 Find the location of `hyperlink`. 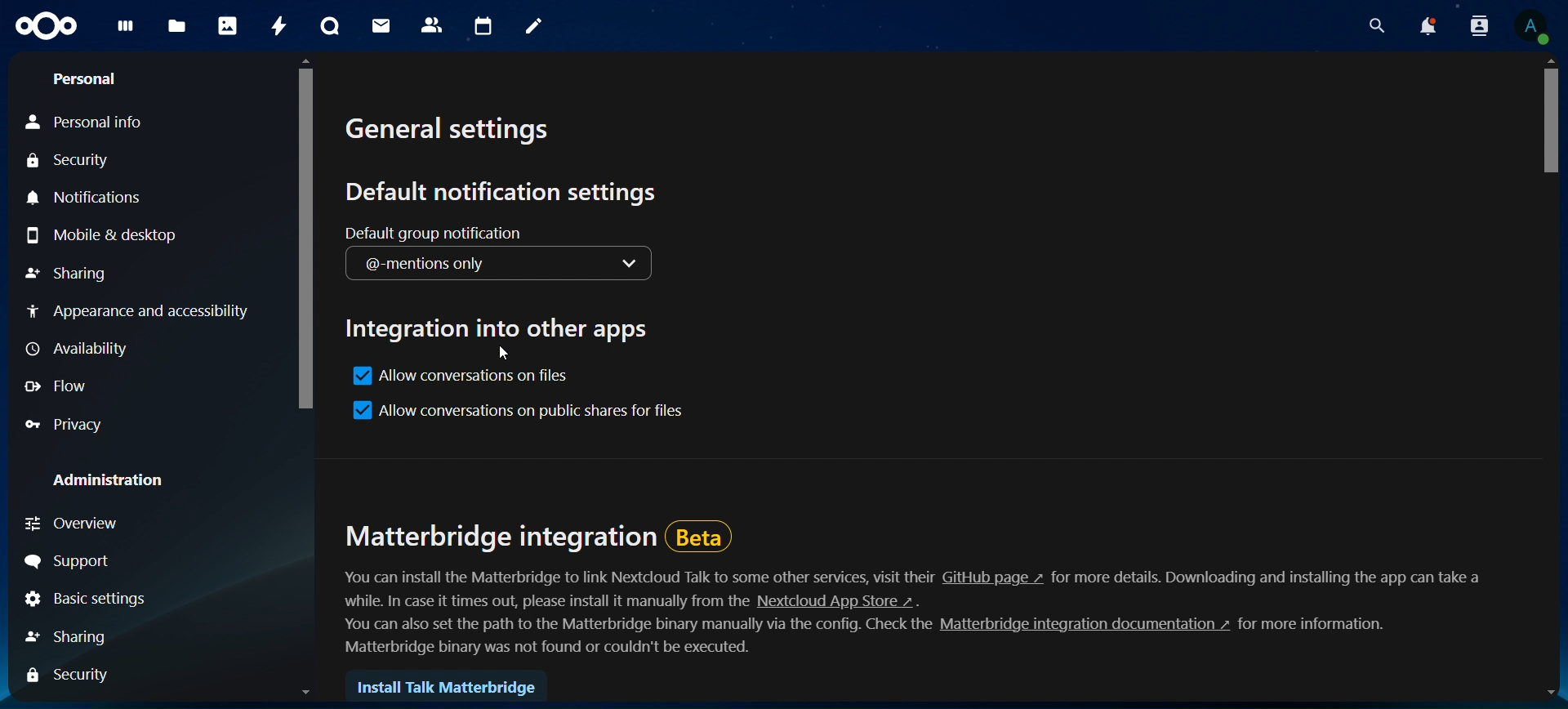

hyperlink is located at coordinates (1080, 626).